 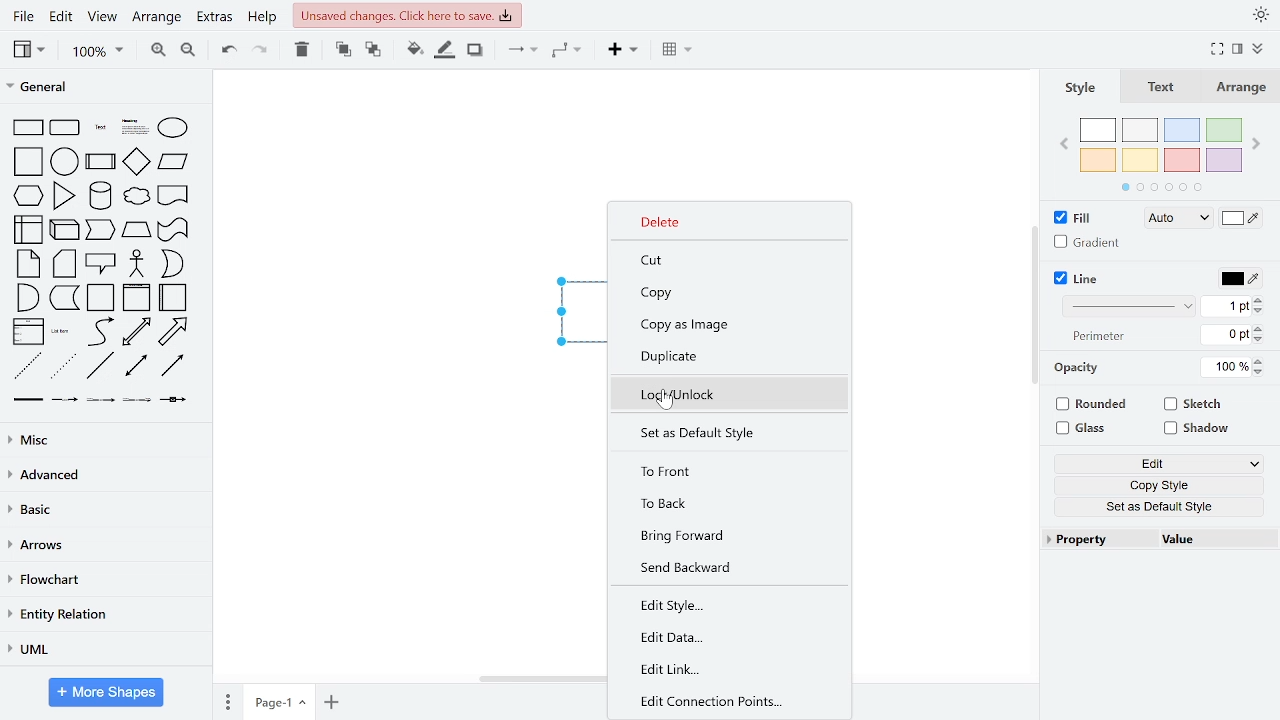 I want to click on extras, so click(x=215, y=19).